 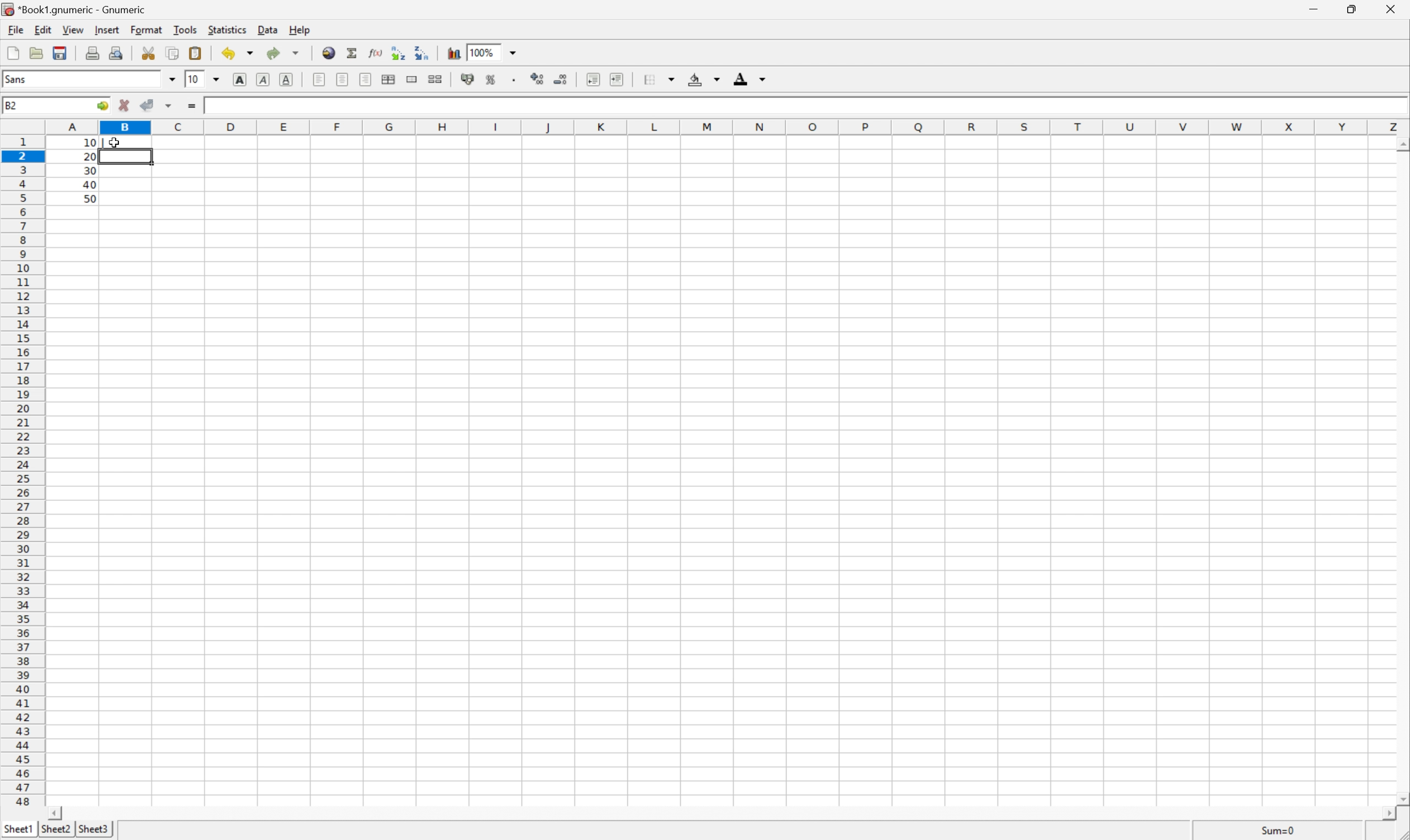 I want to click on Merge ranges of cells, so click(x=411, y=79).